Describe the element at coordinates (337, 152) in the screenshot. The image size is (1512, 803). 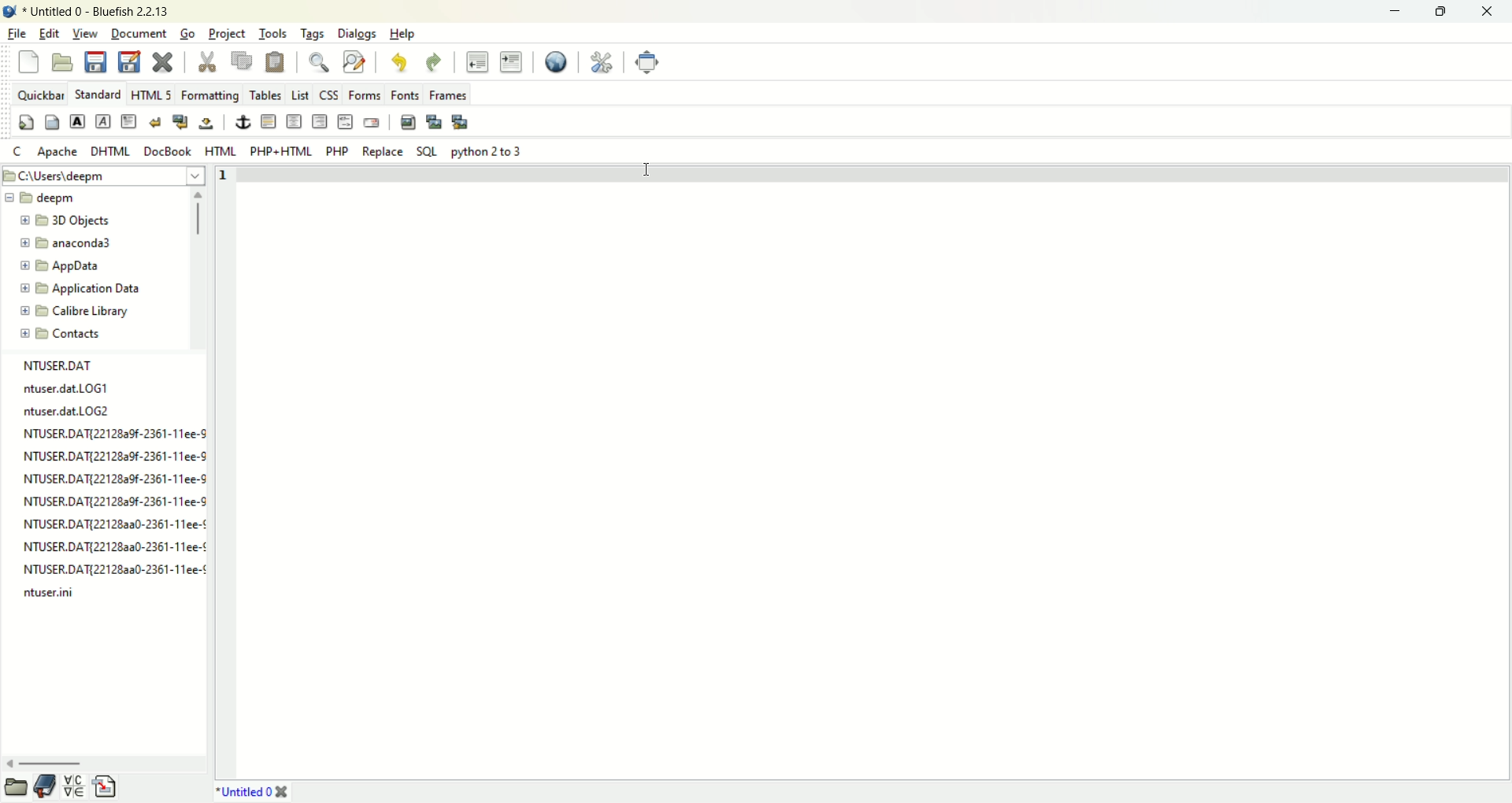
I see `PHP` at that location.